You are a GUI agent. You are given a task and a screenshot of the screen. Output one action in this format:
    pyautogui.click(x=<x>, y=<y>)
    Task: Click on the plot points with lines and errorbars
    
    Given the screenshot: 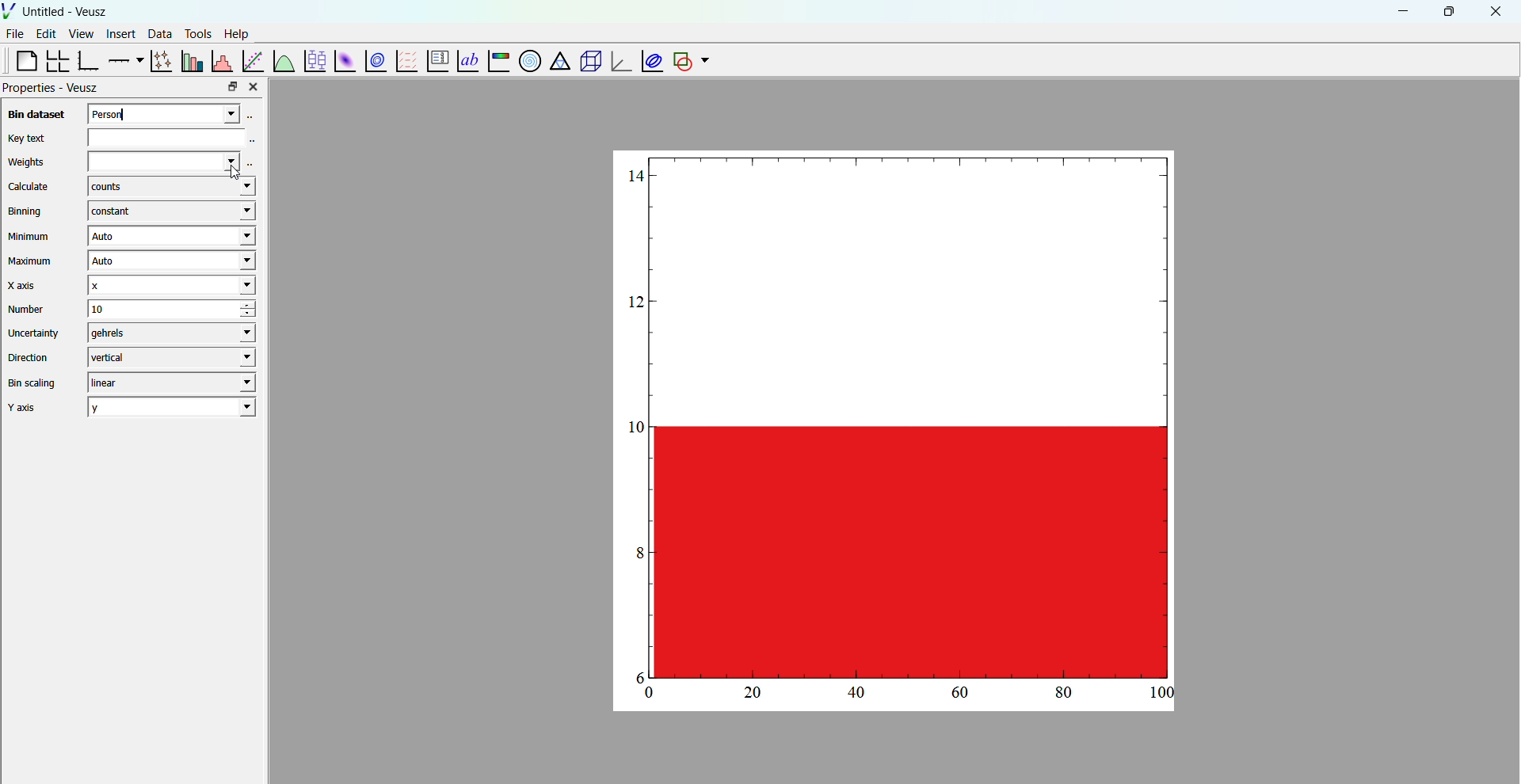 What is the action you would take?
    pyautogui.click(x=159, y=61)
    